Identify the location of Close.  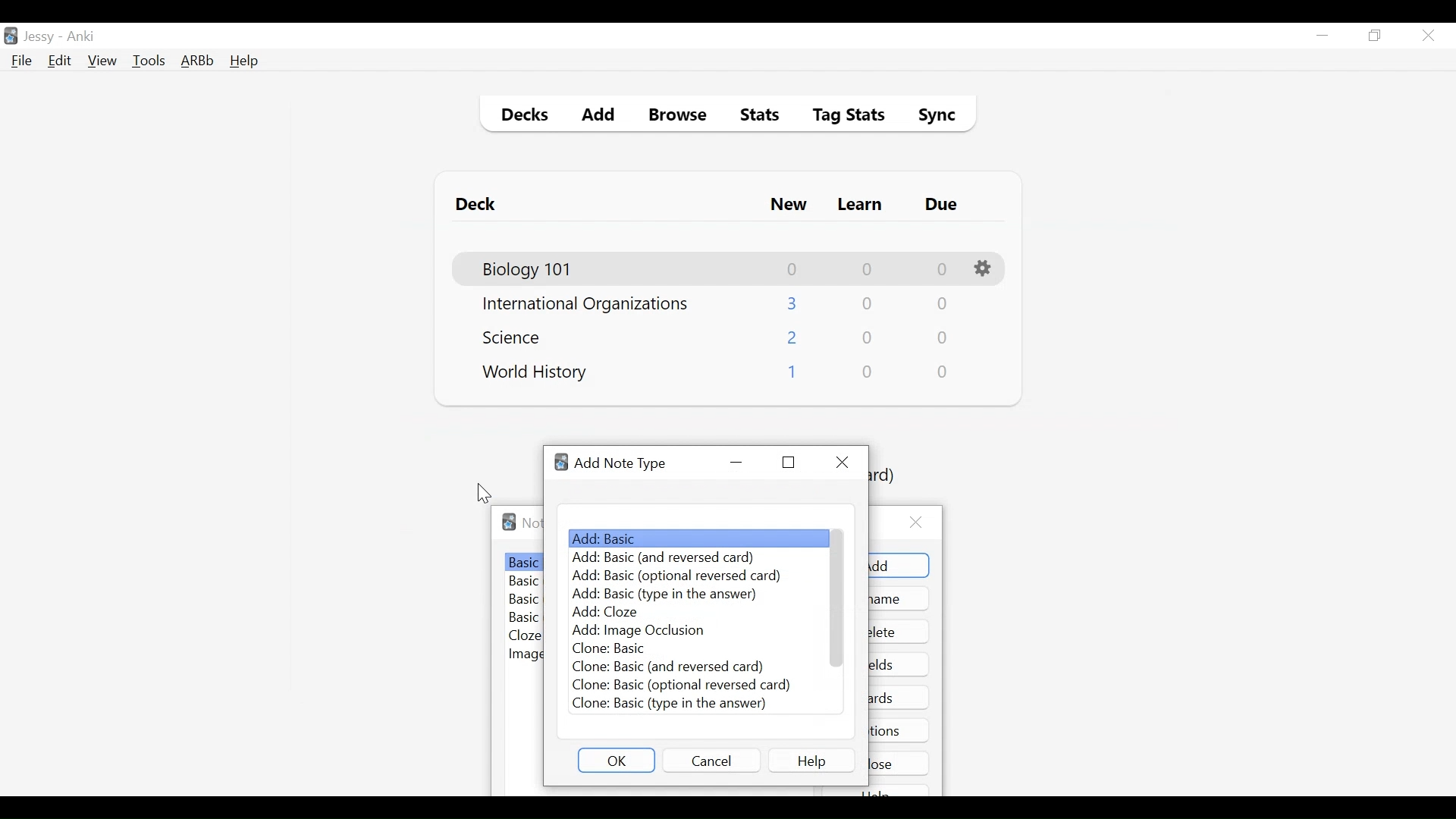
(842, 462).